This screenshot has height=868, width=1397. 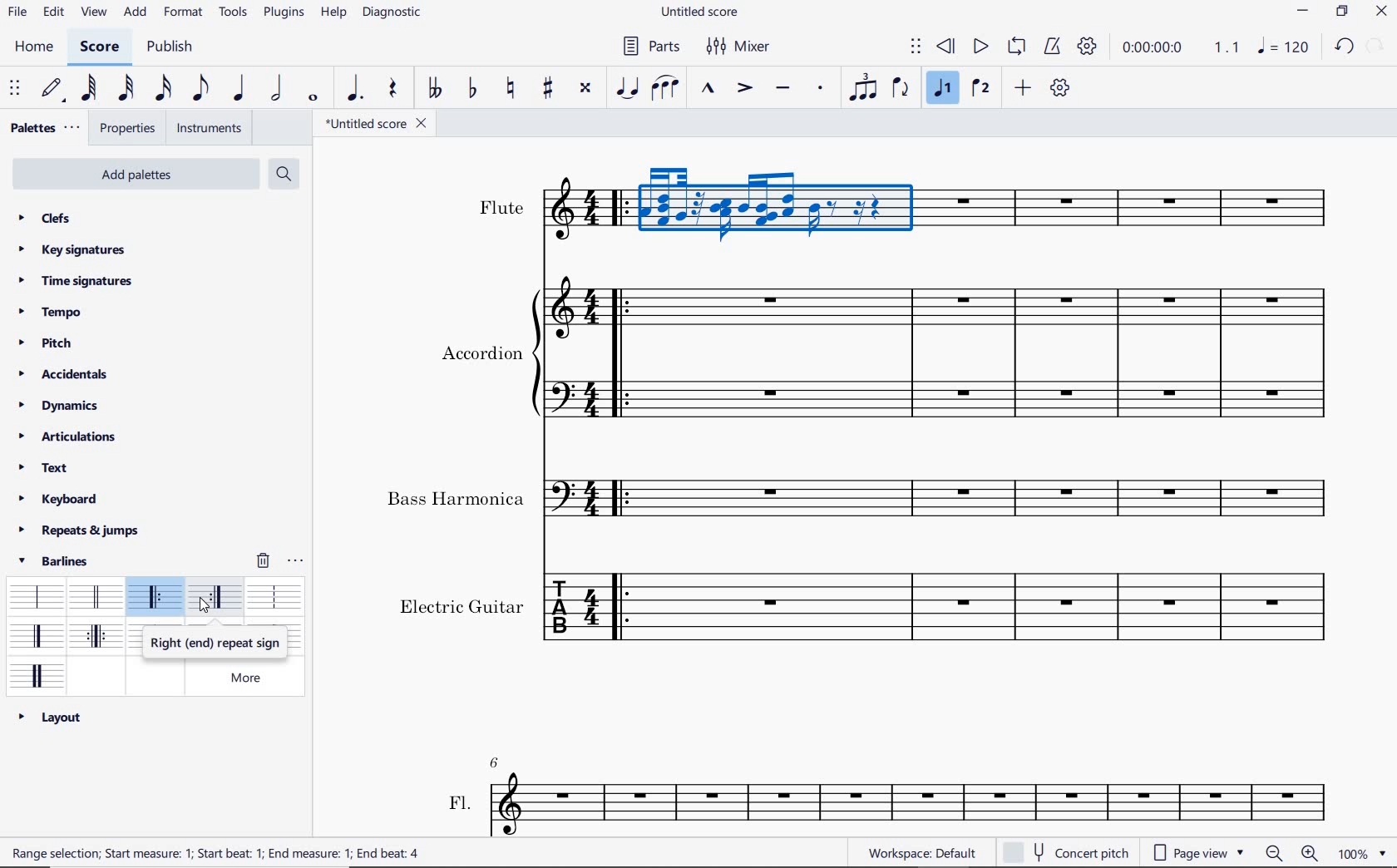 I want to click on cursor, so click(x=204, y=608).